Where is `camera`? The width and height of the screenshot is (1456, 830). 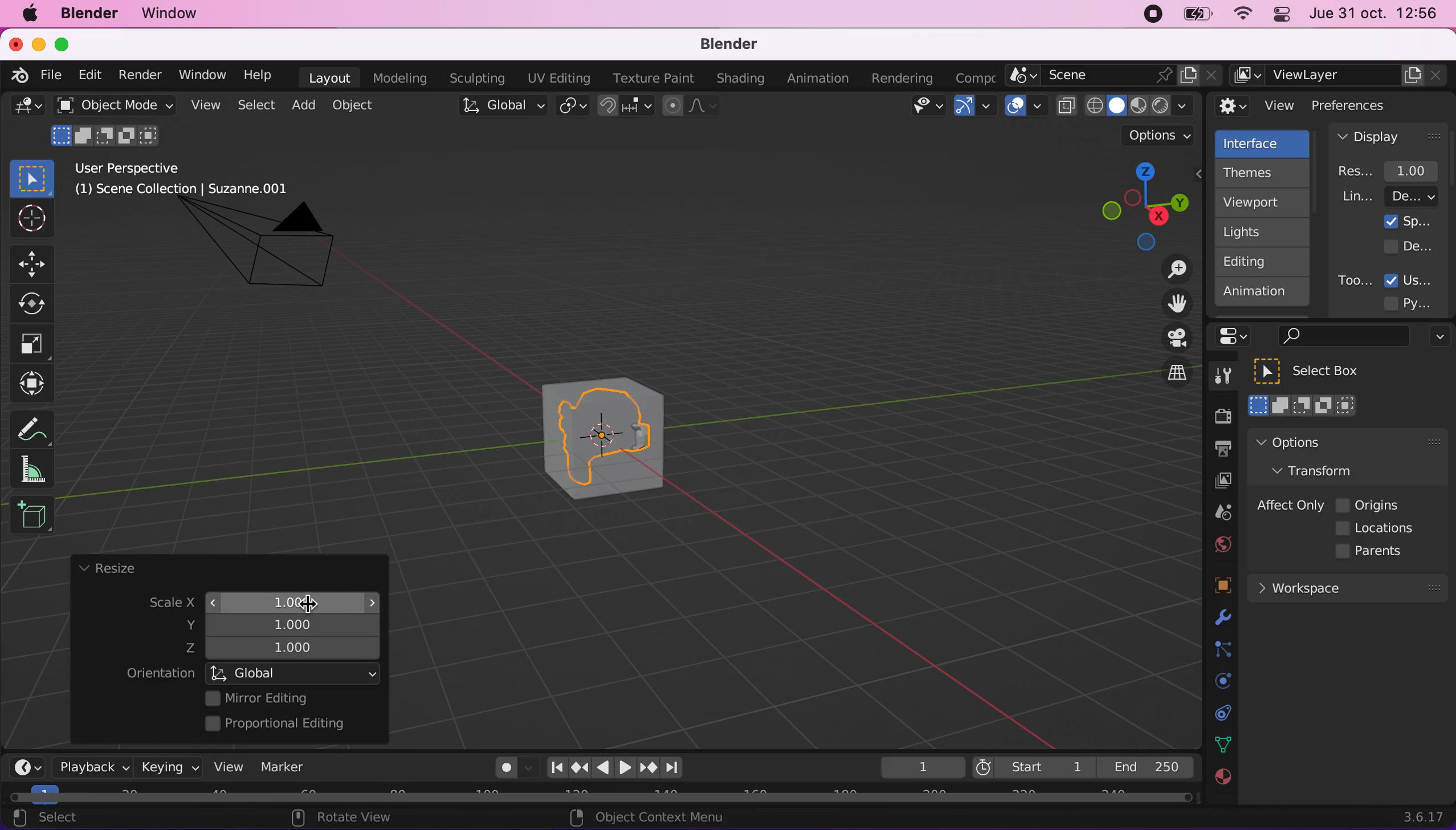 camera is located at coordinates (272, 255).